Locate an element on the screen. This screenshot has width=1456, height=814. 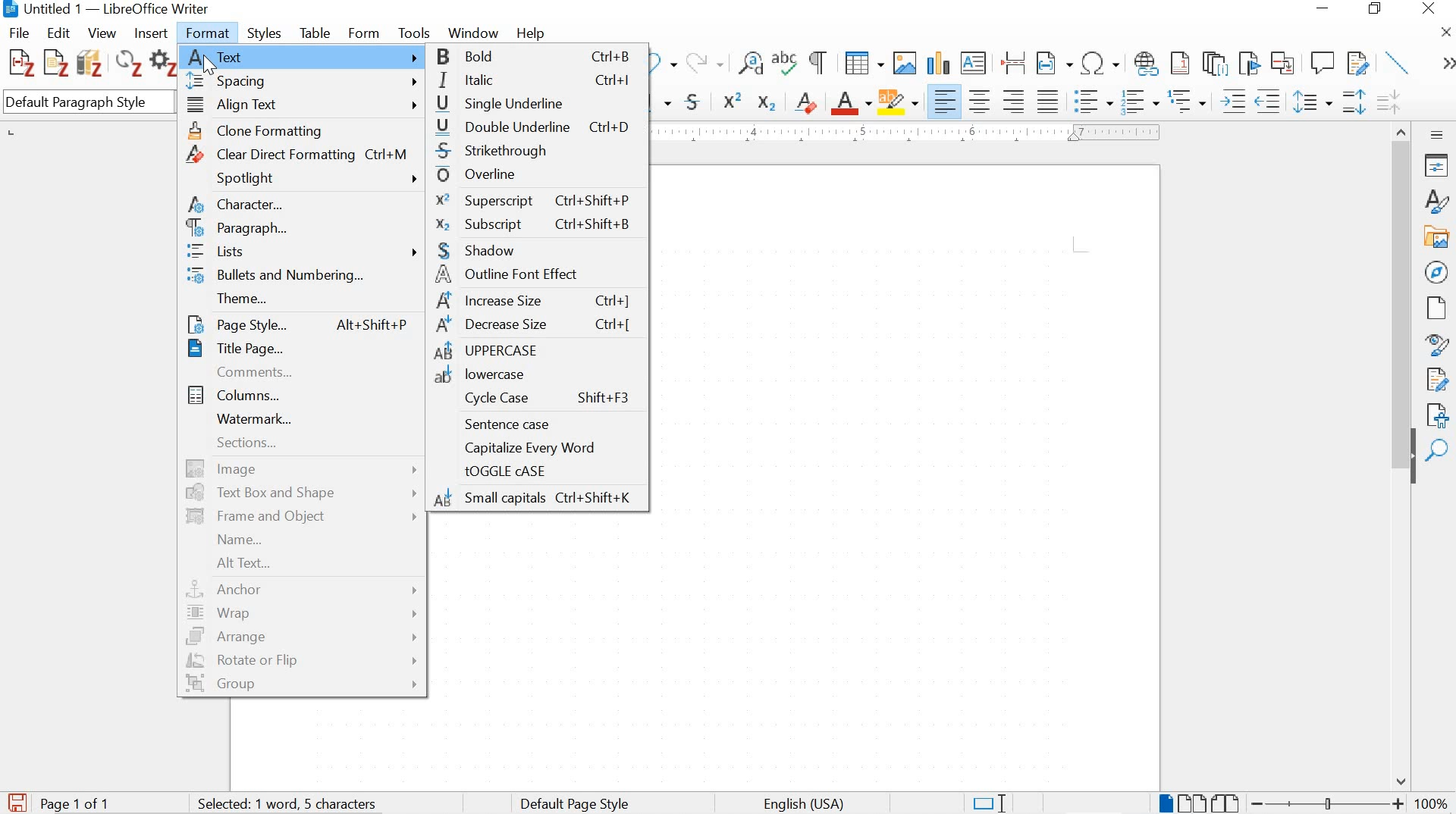
character highlighting color is located at coordinates (899, 101).